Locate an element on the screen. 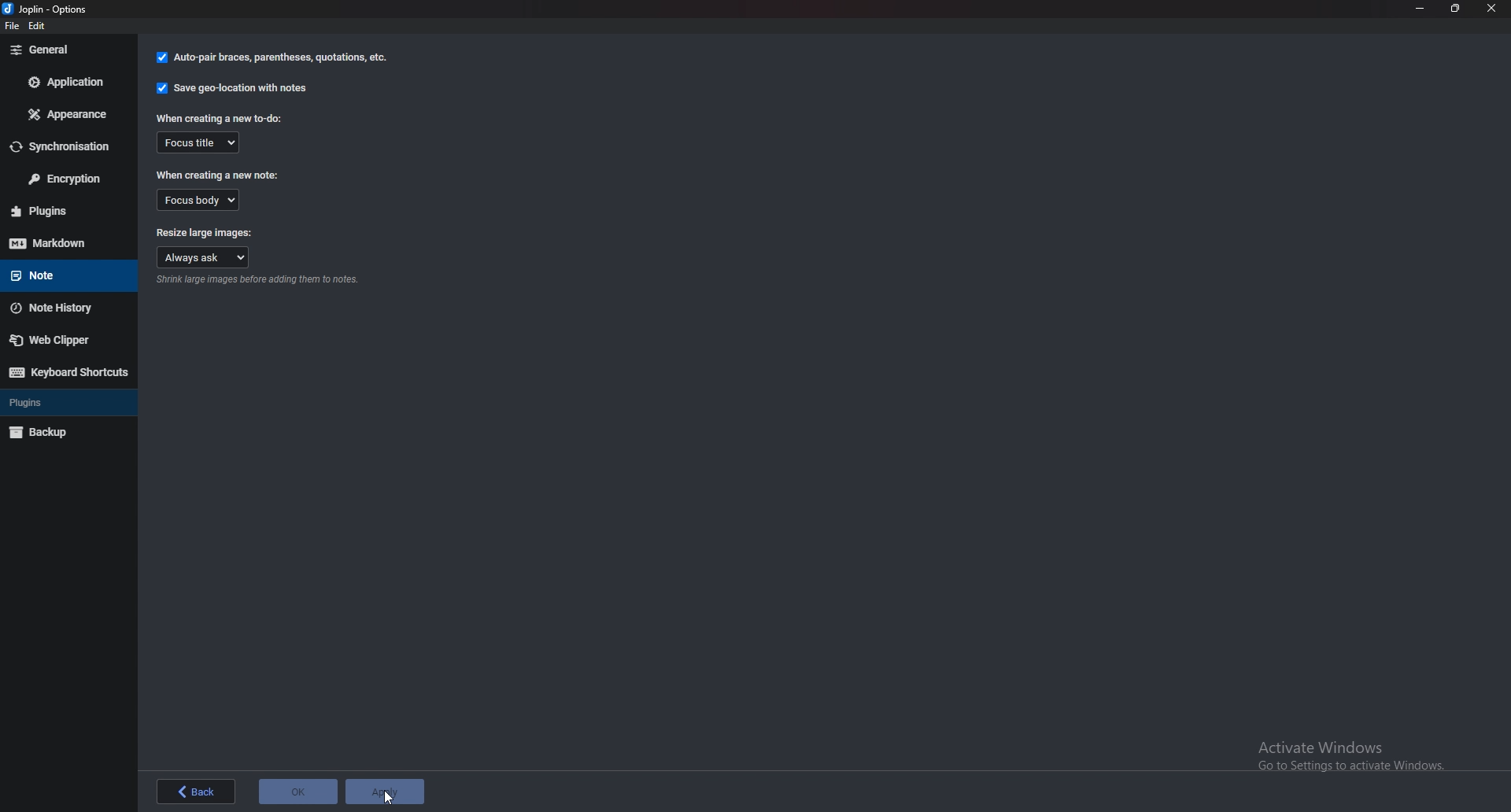 This screenshot has width=1511, height=812. cursor is located at coordinates (386, 798).